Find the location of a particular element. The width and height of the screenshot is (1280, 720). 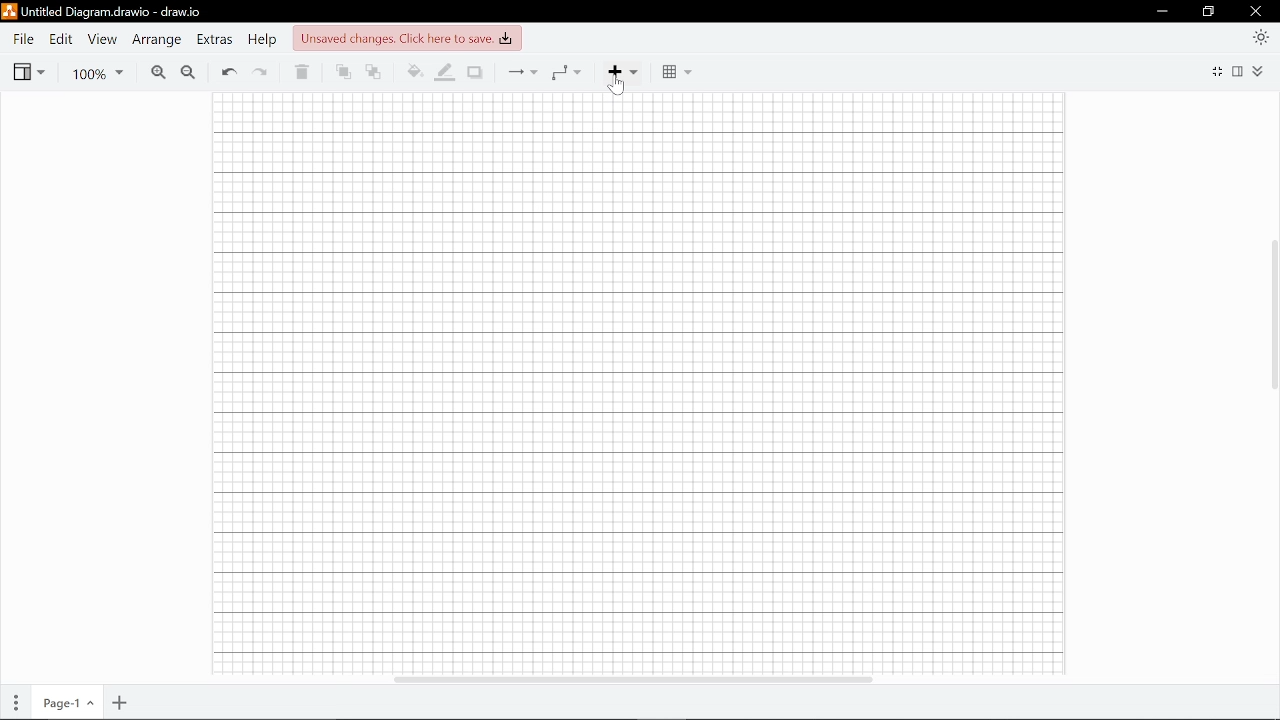

Zoom is located at coordinates (94, 72).